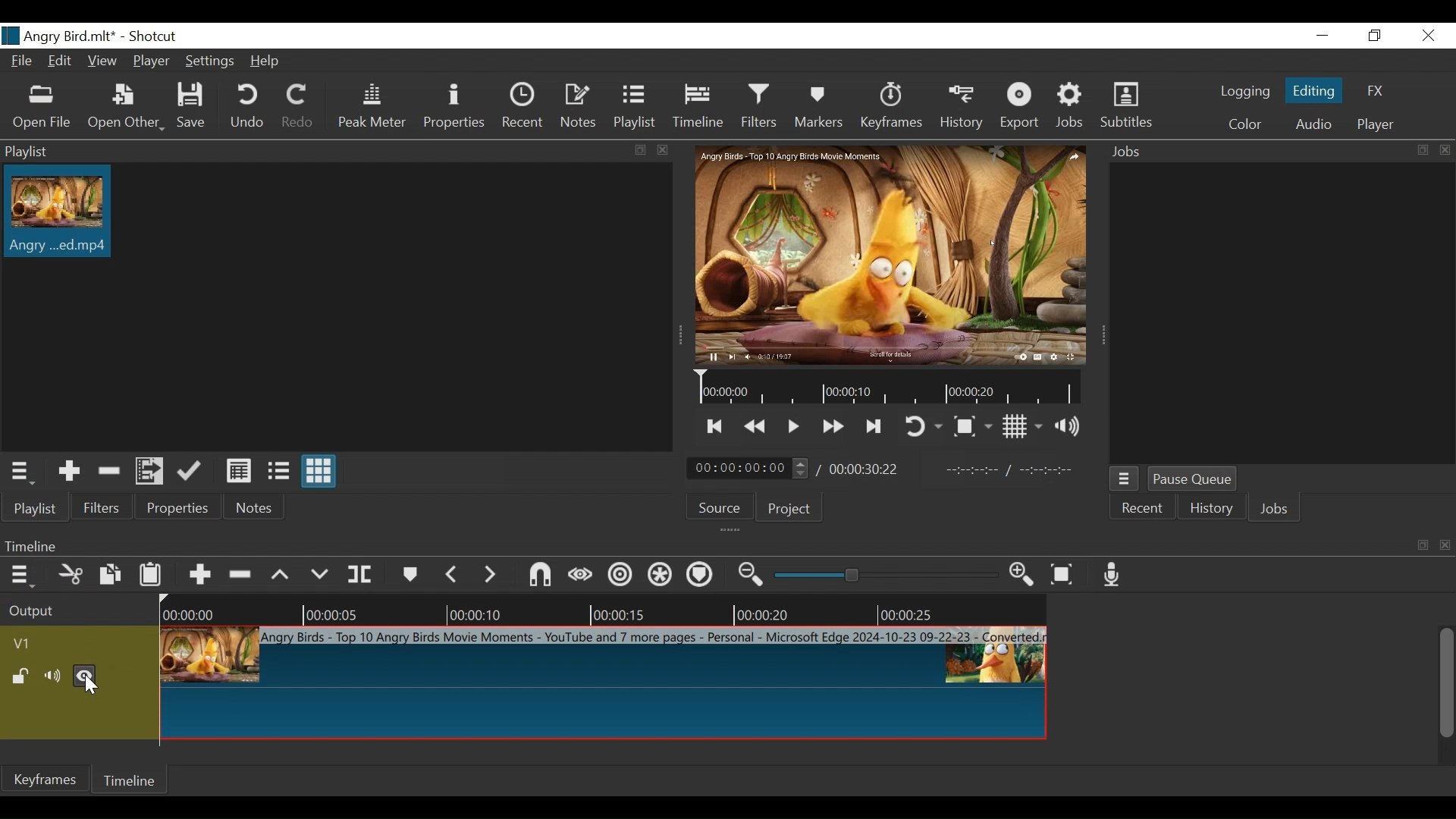 The height and width of the screenshot is (819, 1456). Describe the element at coordinates (754, 427) in the screenshot. I see `Play quickly backward` at that location.